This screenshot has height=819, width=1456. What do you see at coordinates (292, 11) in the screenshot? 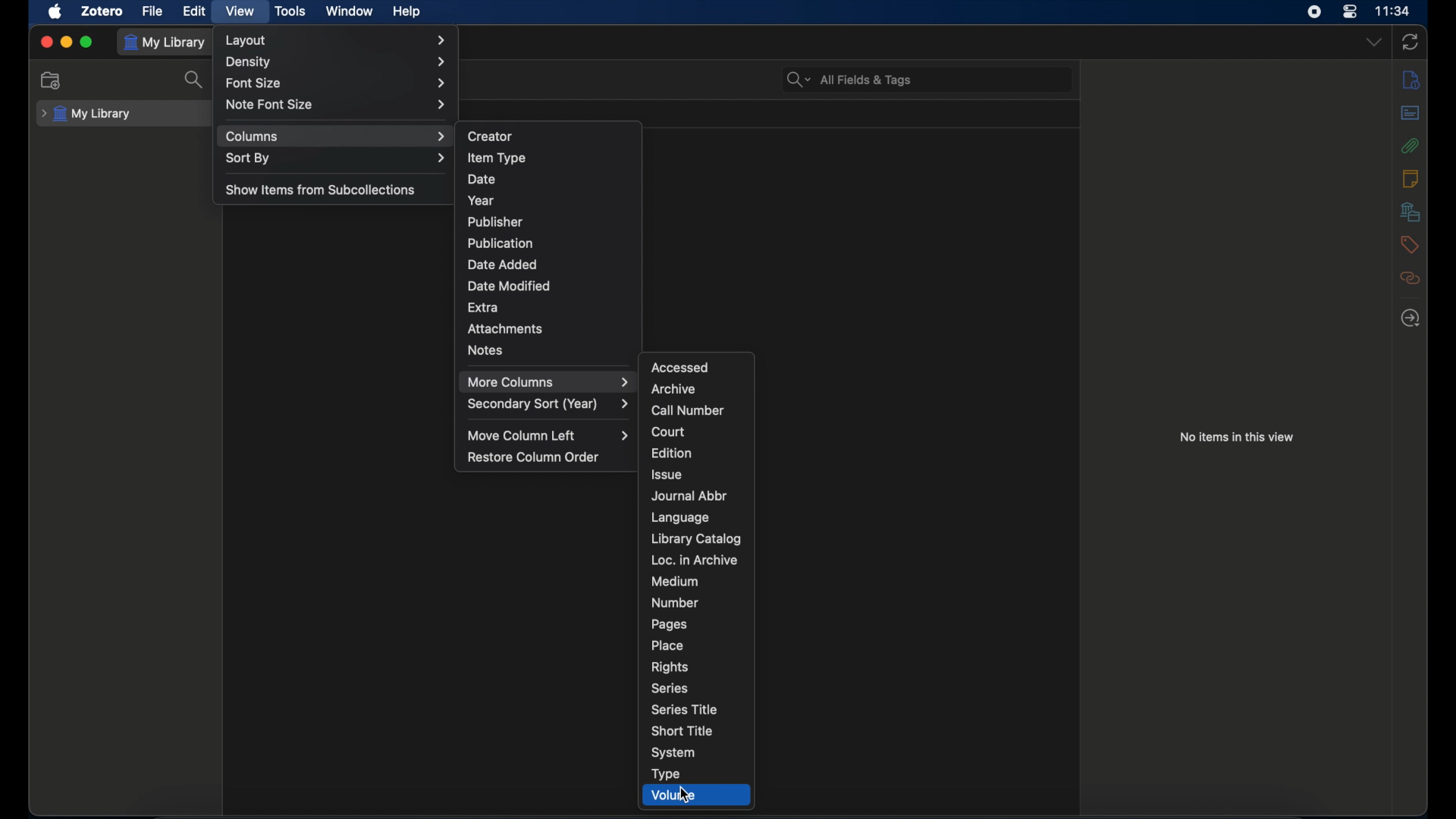
I see `tools` at bounding box center [292, 11].